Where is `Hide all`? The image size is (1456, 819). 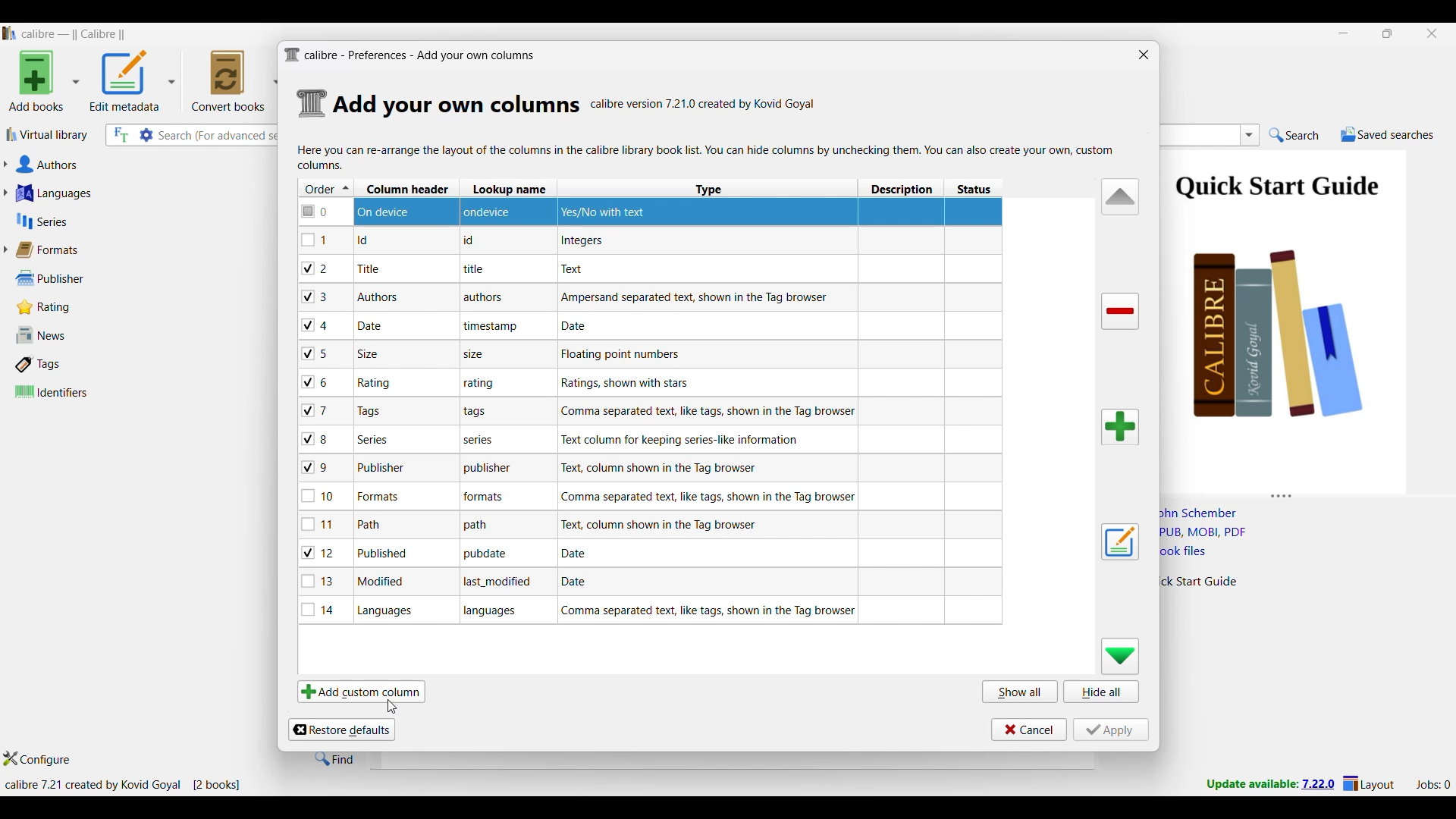
Hide all is located at coordinates (1101, 692).